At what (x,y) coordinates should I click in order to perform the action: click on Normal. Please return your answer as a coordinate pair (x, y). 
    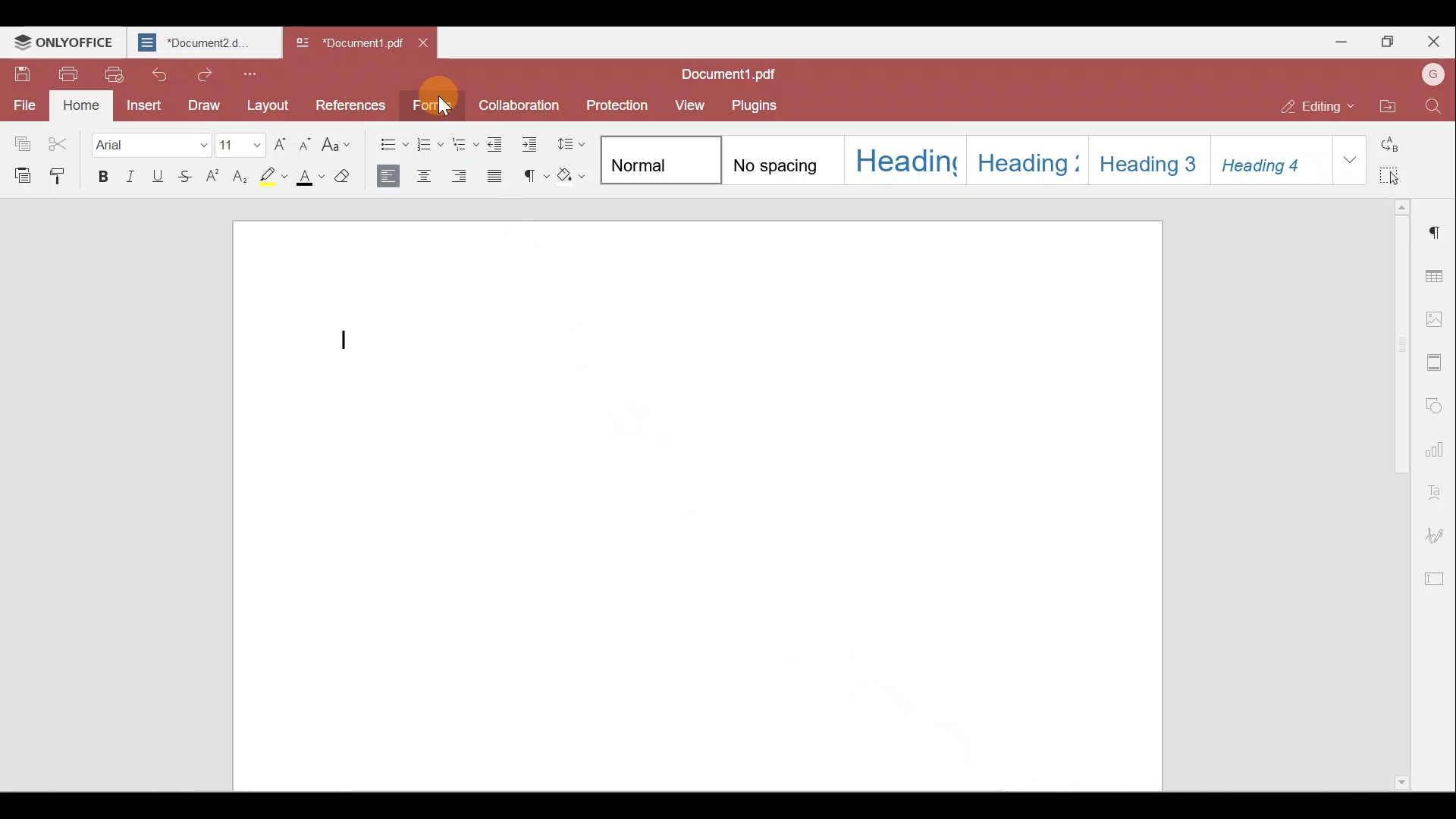
    Looking at the image, I should click on (659, 162).